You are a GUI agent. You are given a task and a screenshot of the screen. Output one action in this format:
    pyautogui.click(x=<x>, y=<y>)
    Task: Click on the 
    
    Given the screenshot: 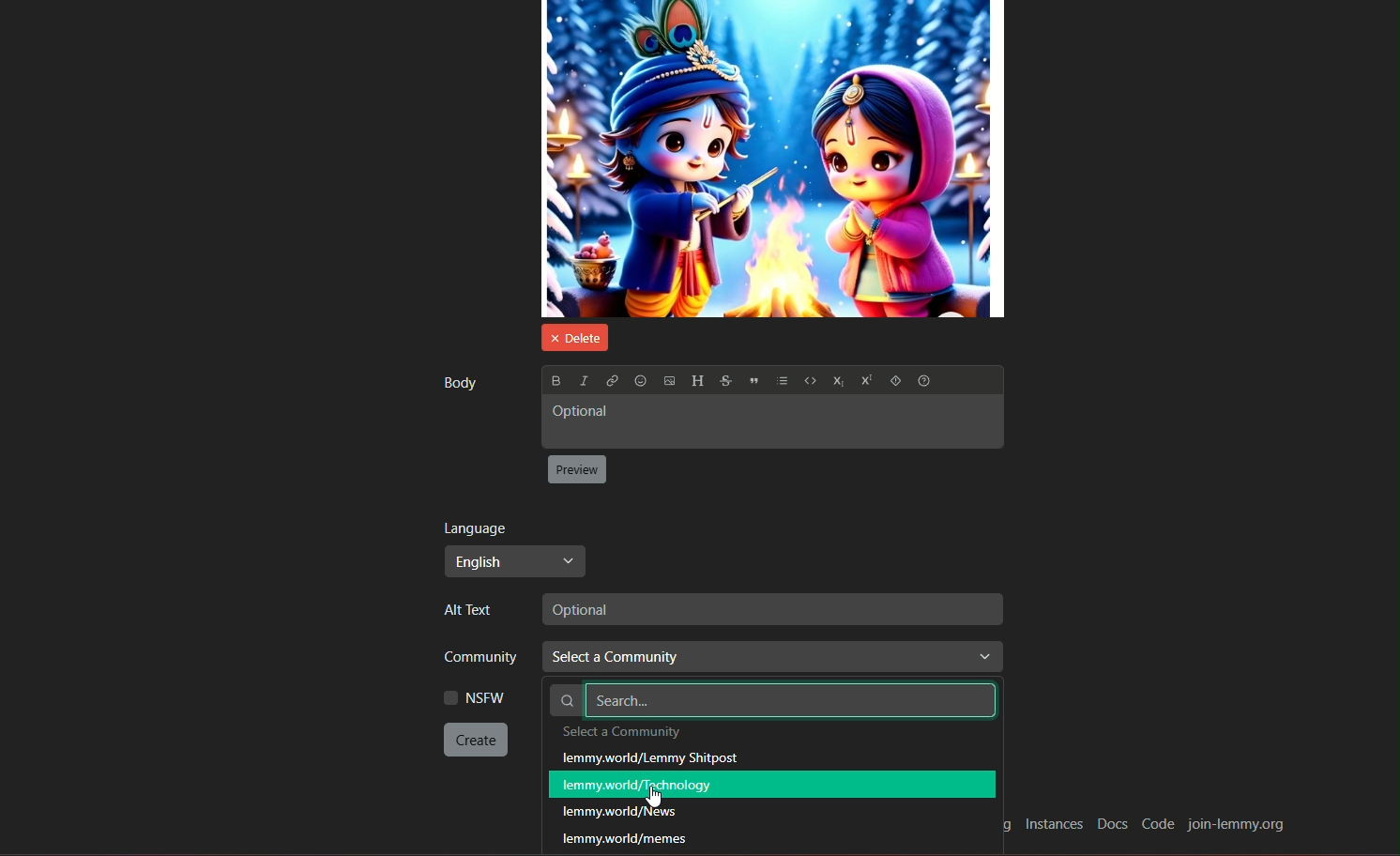 What is the action you would take?
    pyautogui.click(x=894, y=382)
    